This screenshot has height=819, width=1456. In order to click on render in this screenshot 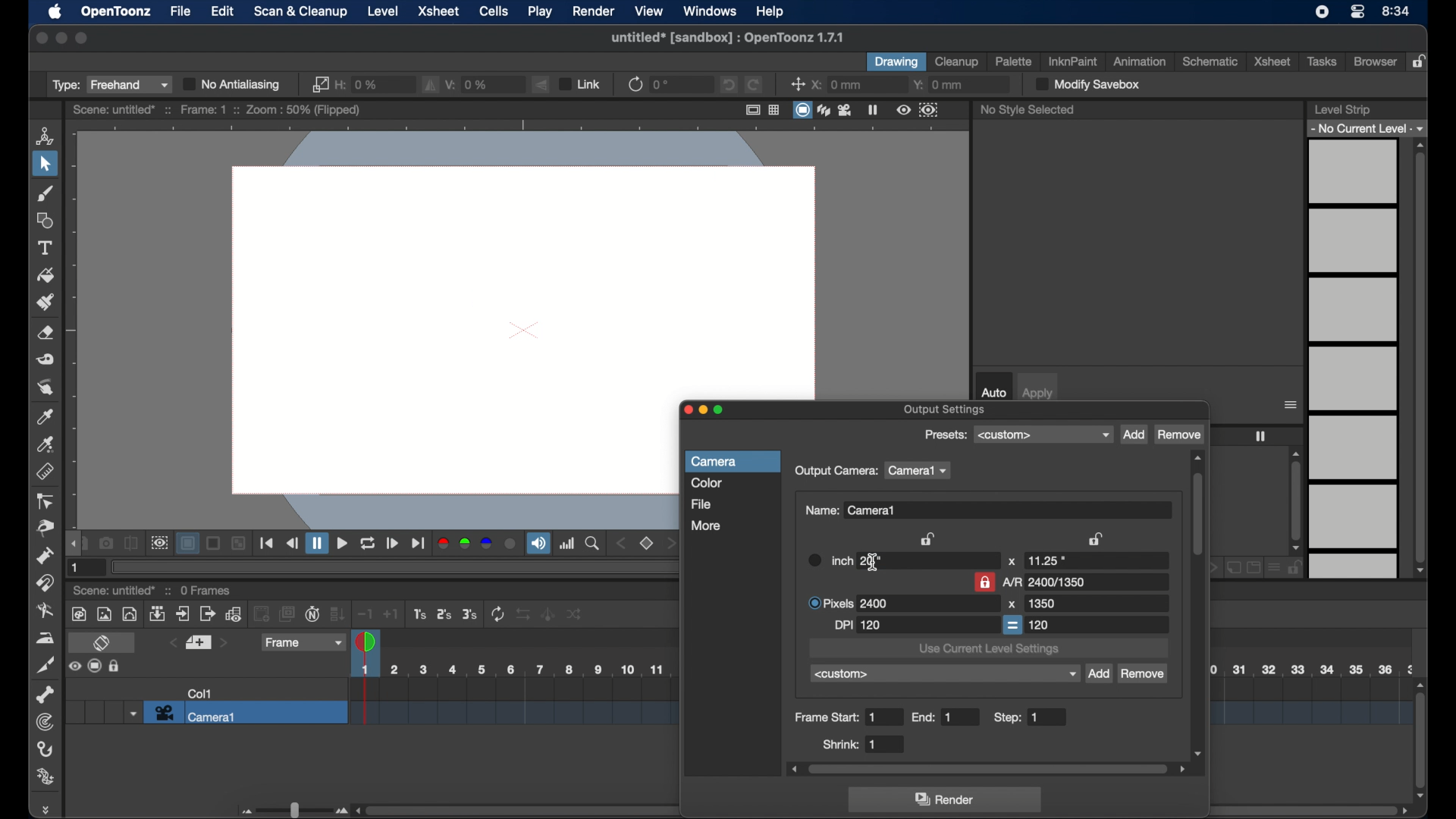, I will do `click(947, 800)`.